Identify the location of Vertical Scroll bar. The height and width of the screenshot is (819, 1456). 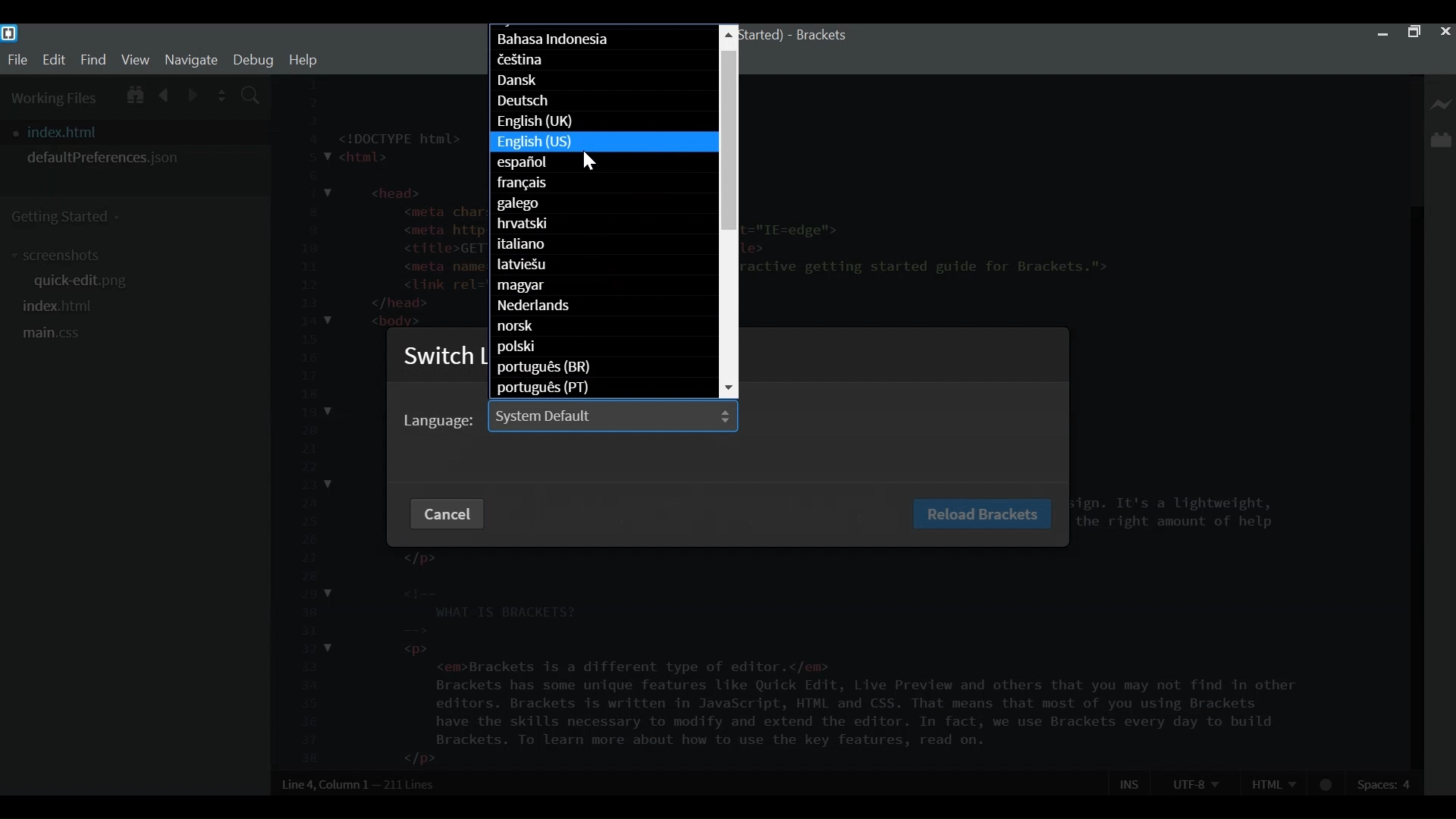
(730, 141).